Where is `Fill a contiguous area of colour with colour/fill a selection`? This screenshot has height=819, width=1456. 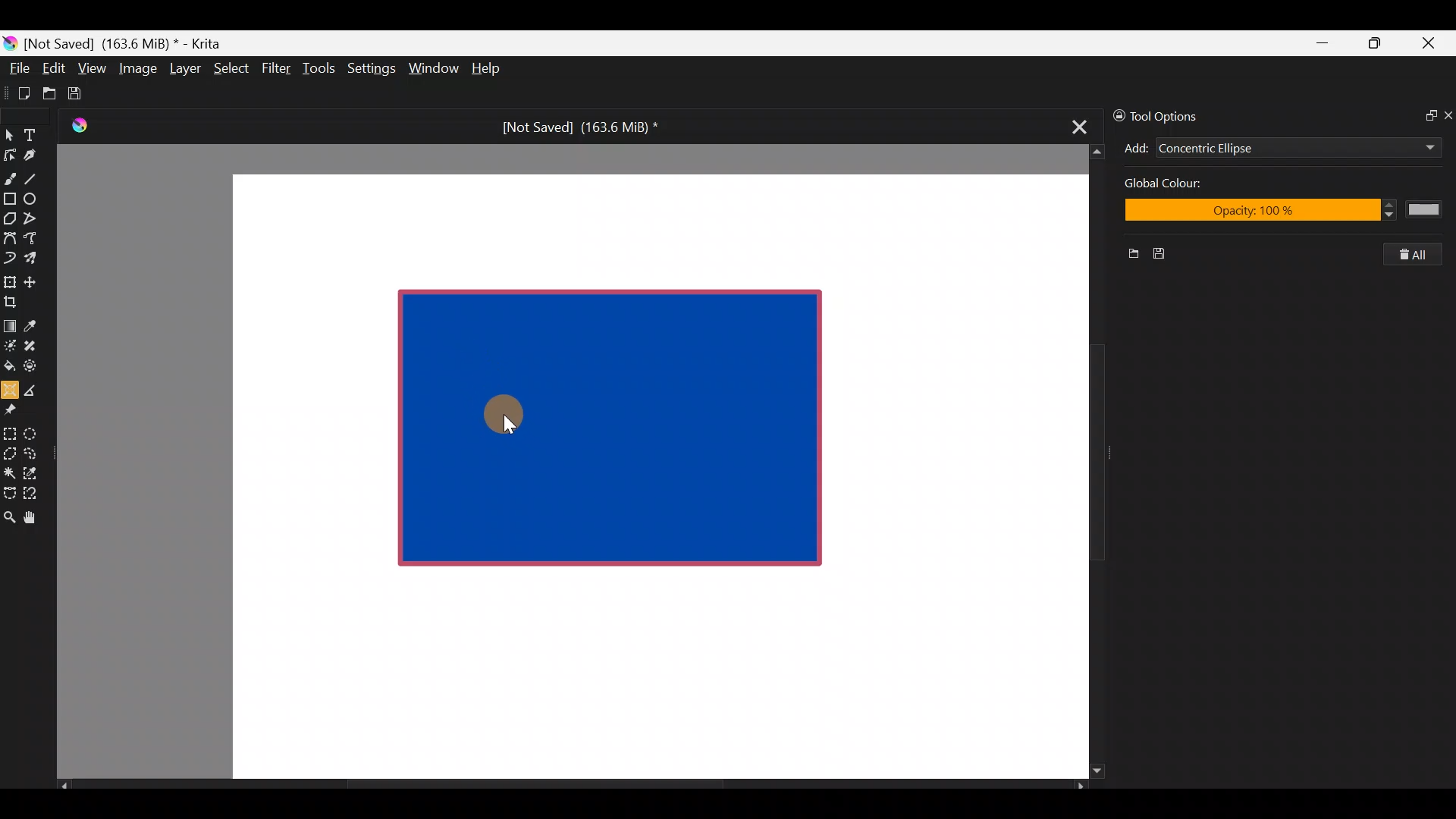
Fill a contiguous area of colour with colour/fill a selection is located at coordinates (9, 362).